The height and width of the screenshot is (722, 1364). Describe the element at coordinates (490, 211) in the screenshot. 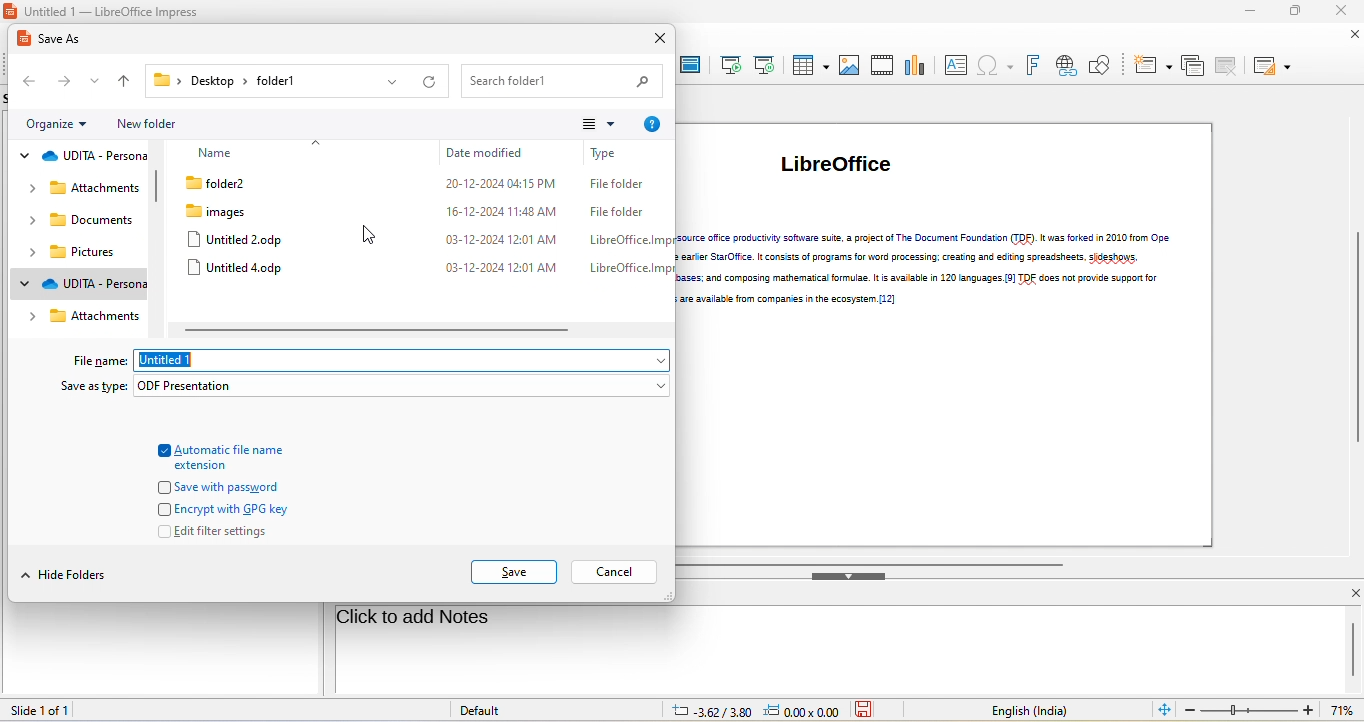

I see `16-12-2024 11:48 AM` at that location.